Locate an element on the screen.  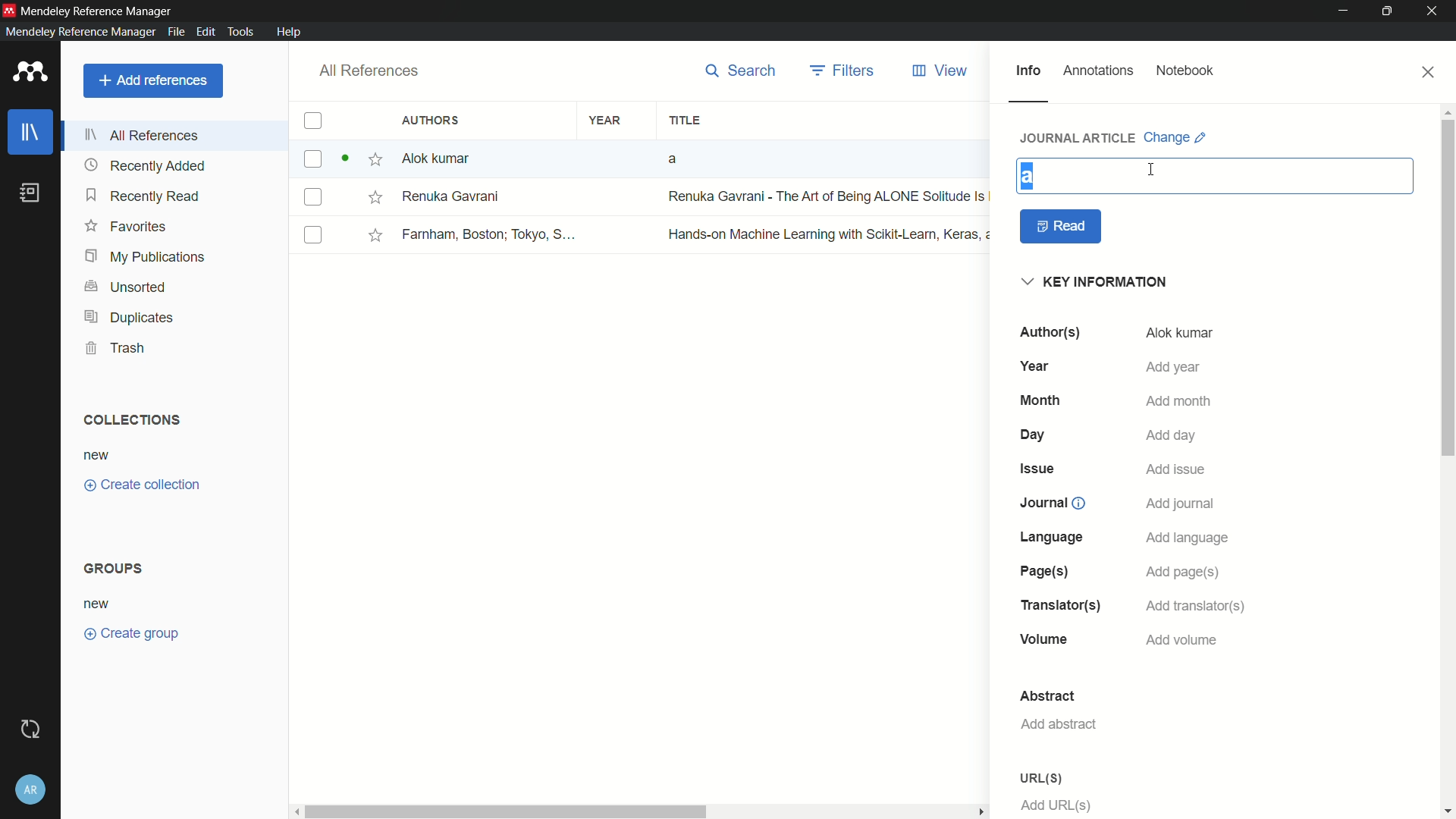
groups is located at coordinates (116, 567).